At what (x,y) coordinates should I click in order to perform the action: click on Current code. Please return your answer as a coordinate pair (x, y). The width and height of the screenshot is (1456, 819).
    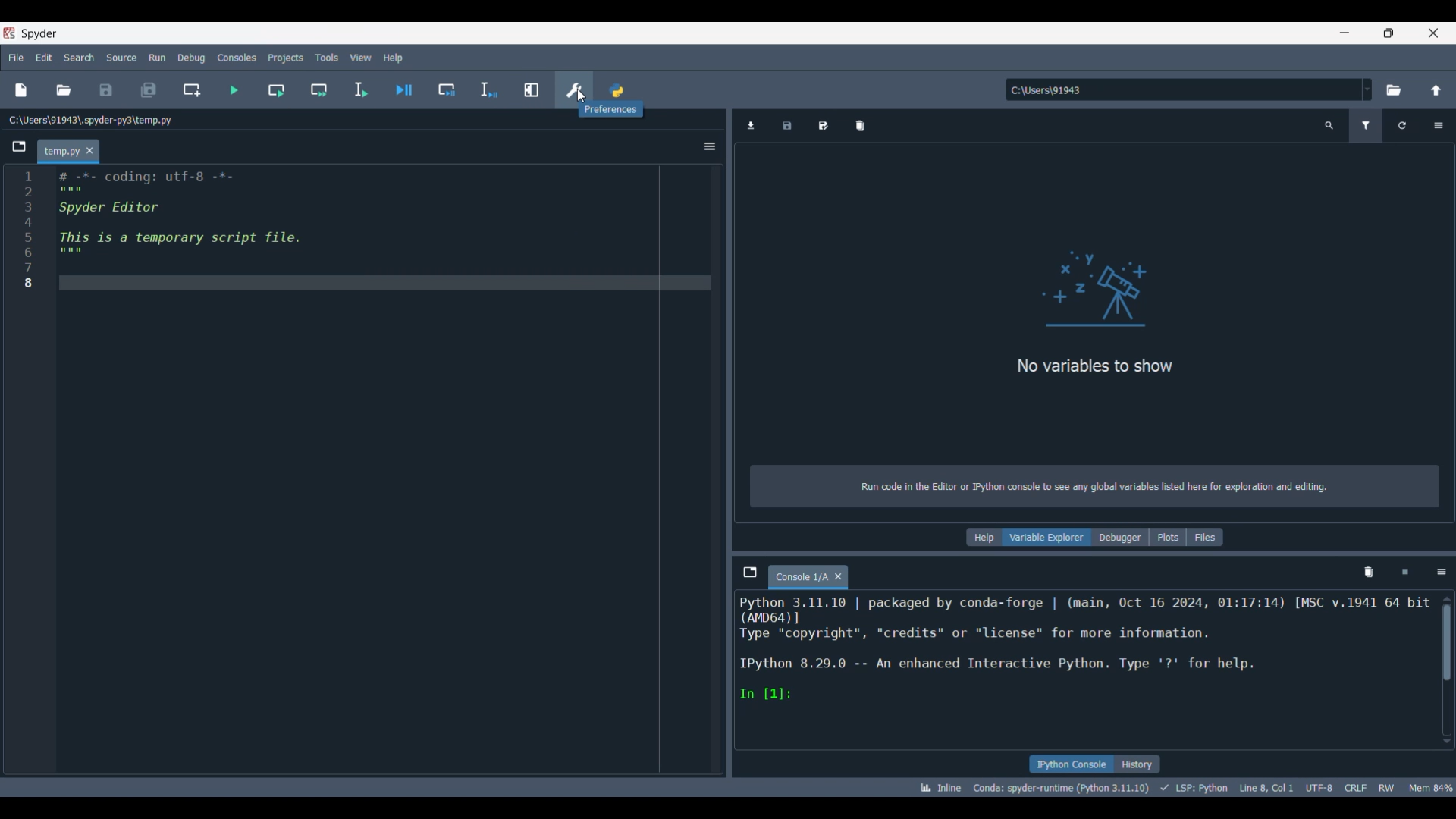
    Looking at the image, I should click on (364, 228).